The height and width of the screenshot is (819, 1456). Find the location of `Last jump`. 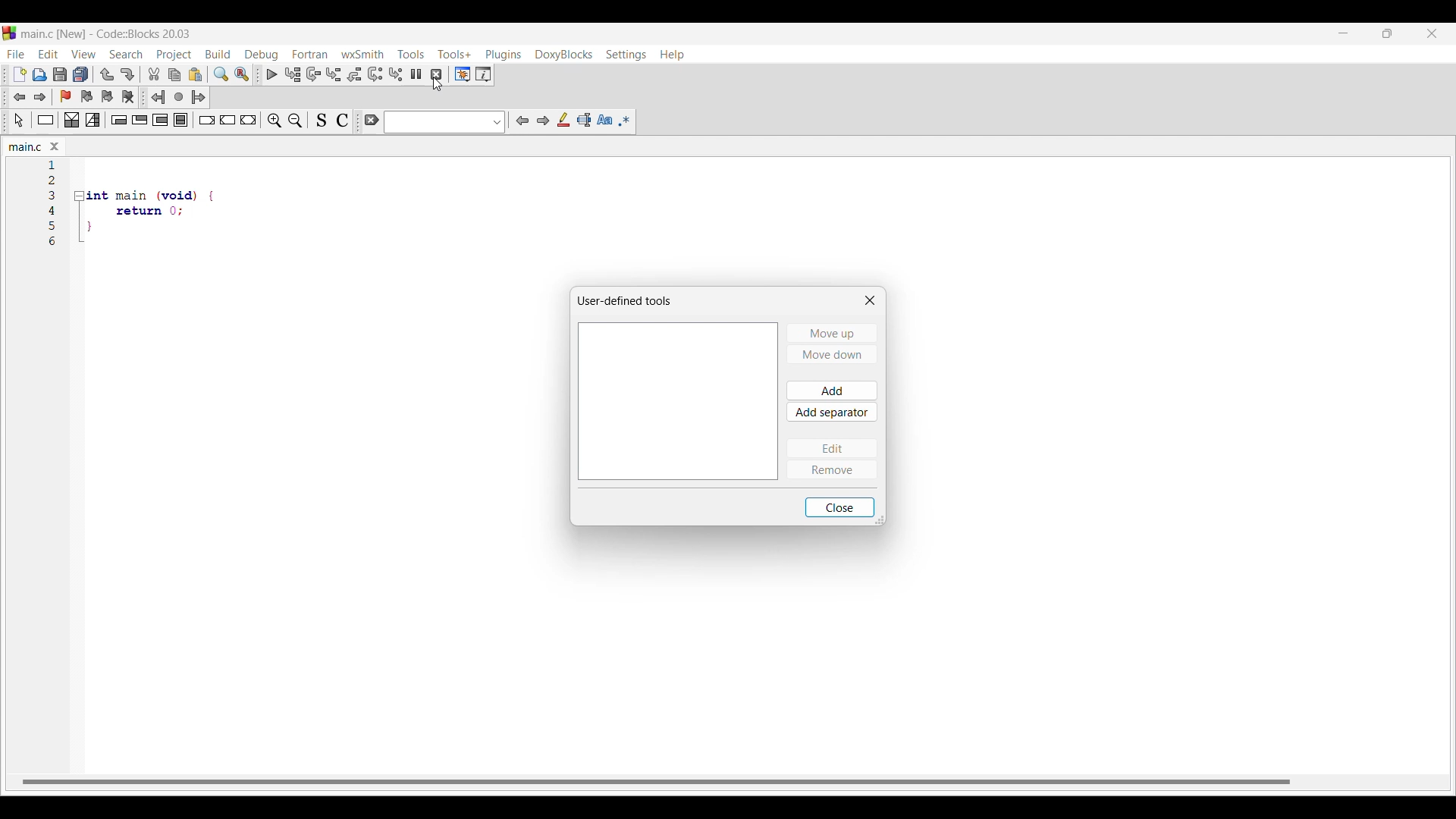

Last jump is located at coordinates (179, 97).